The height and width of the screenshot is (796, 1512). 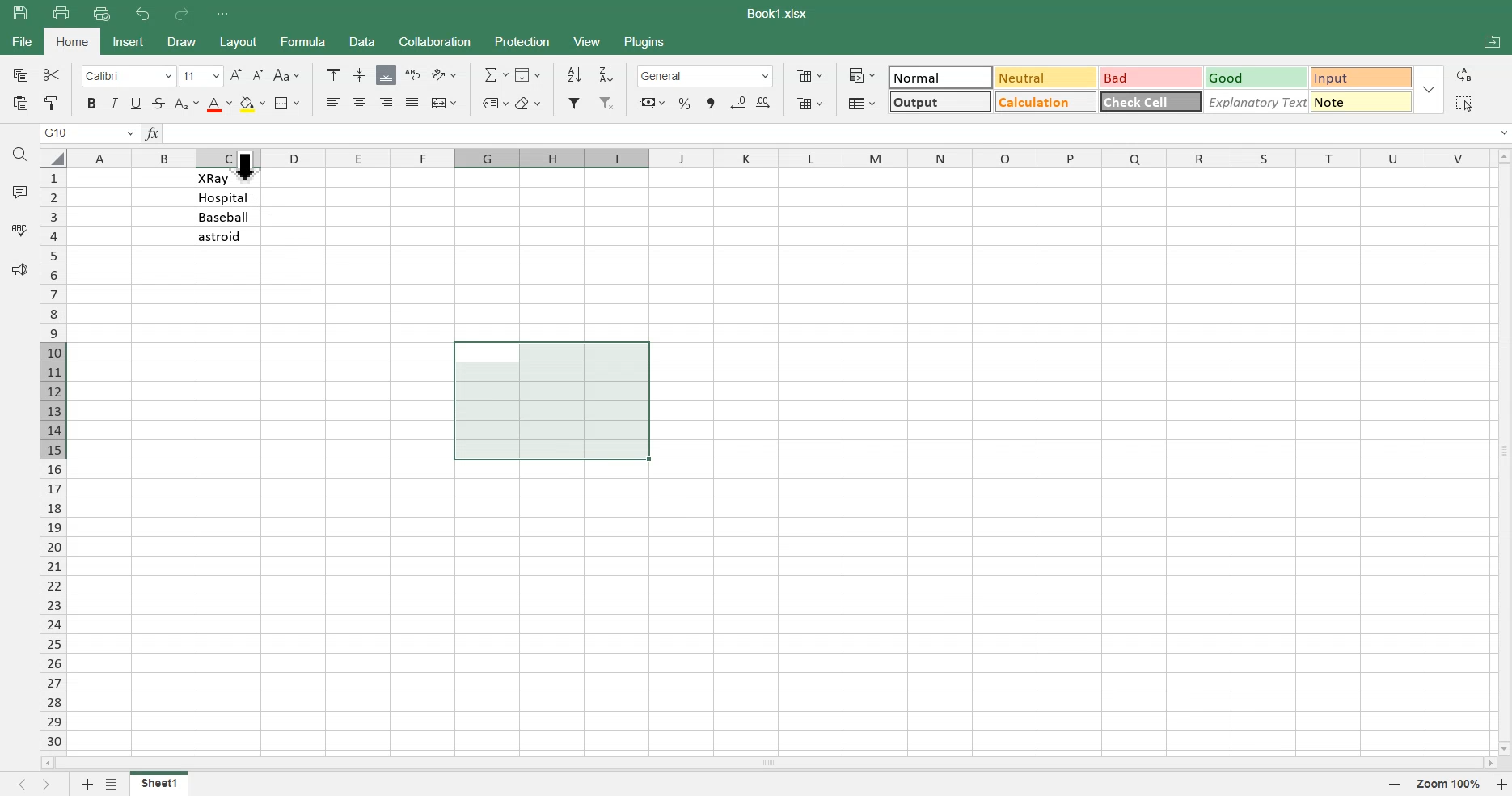 I want to click on Increase Decimal, so click(x=767, y=104).